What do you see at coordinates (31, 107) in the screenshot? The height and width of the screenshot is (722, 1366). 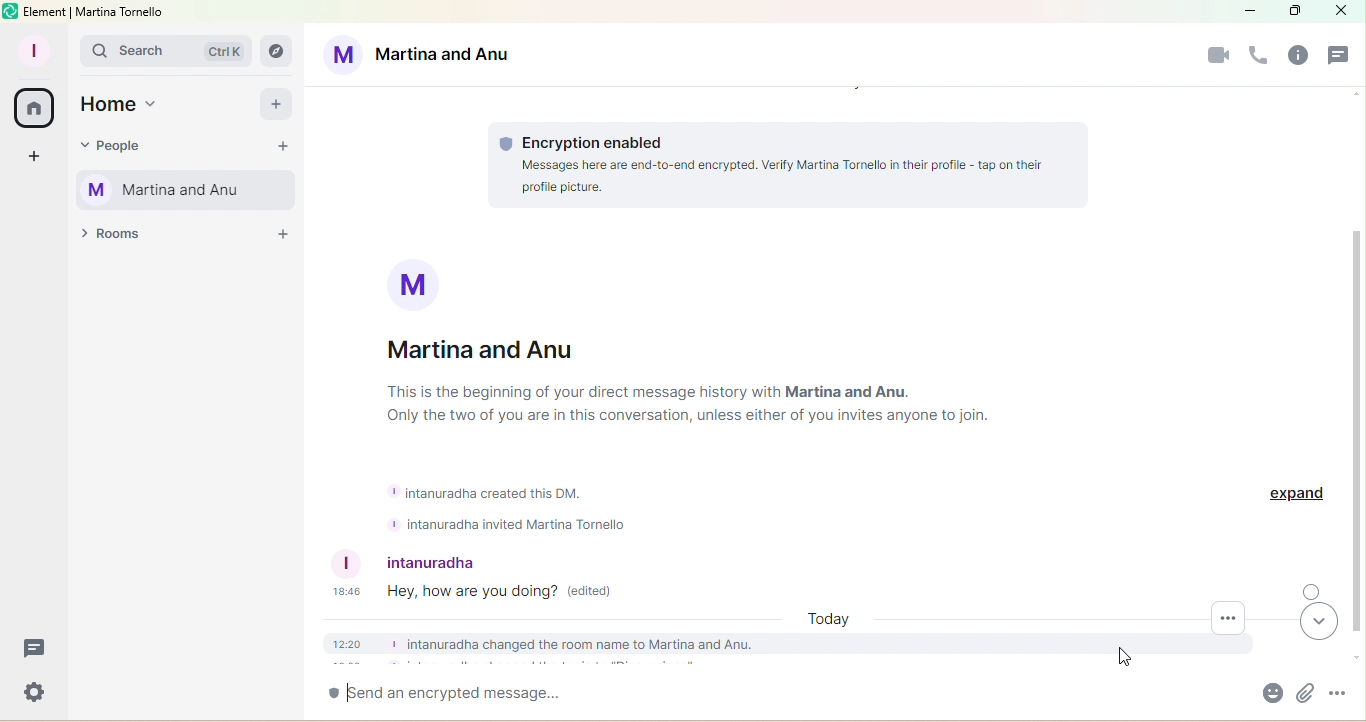 I see `Home` at bounding box center [31, 107].